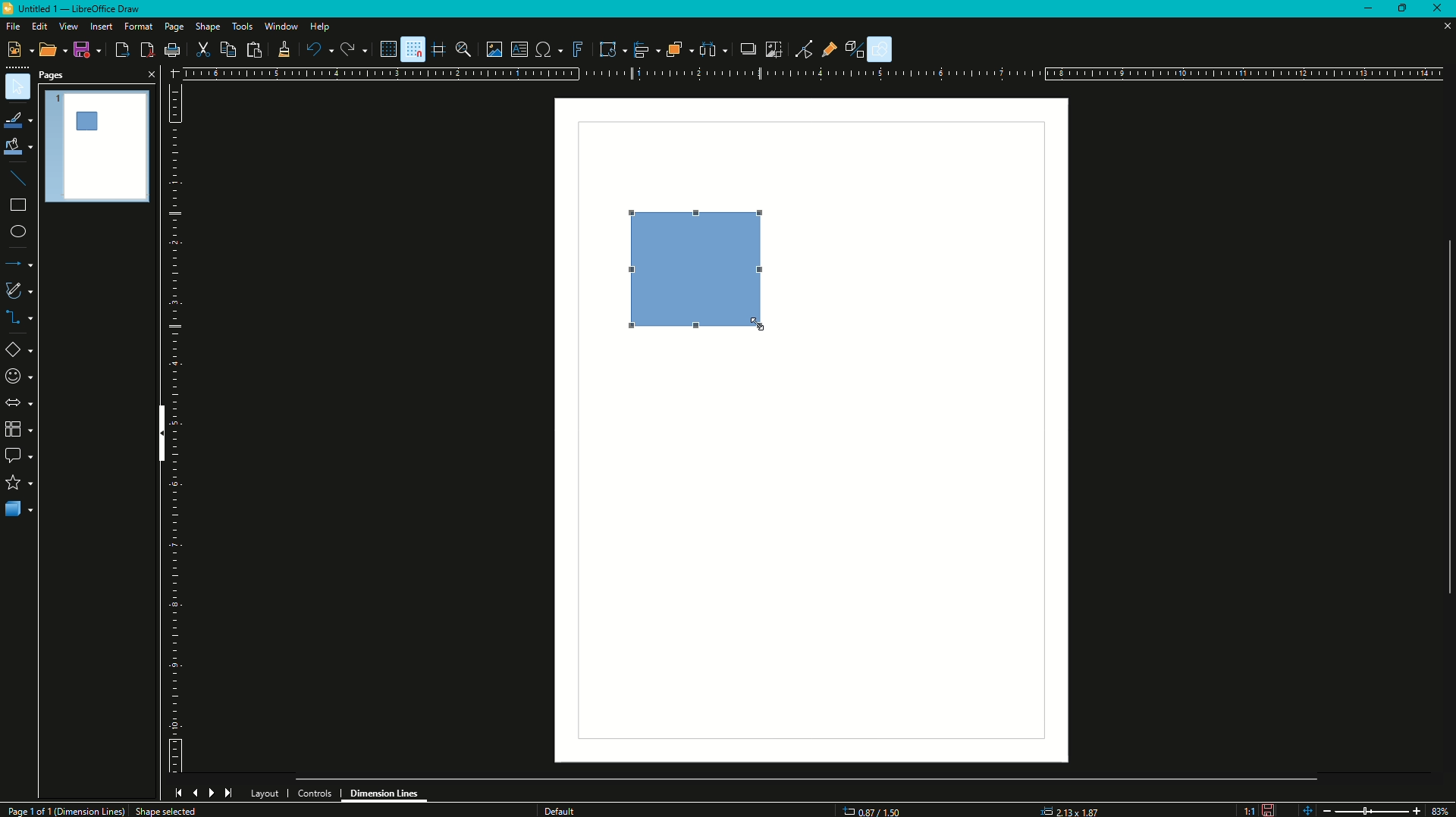  I want to click on Toggle Point Edit Mode, so click(803, 49).